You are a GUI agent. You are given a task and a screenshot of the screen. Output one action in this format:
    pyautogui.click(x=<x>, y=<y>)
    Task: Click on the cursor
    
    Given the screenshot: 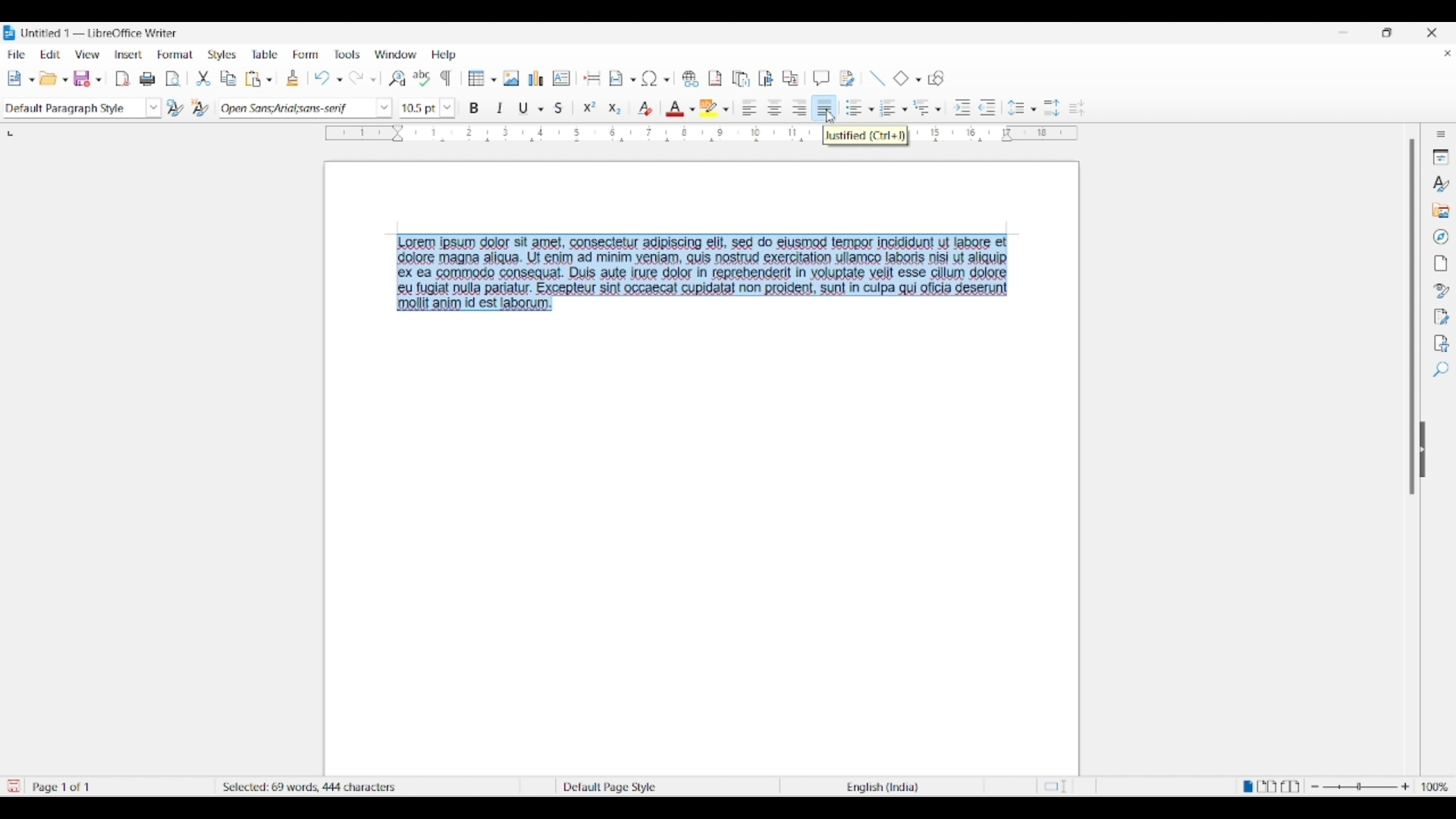 What is the action you would take?
    pyautogui.click(x=830, y=118)
    